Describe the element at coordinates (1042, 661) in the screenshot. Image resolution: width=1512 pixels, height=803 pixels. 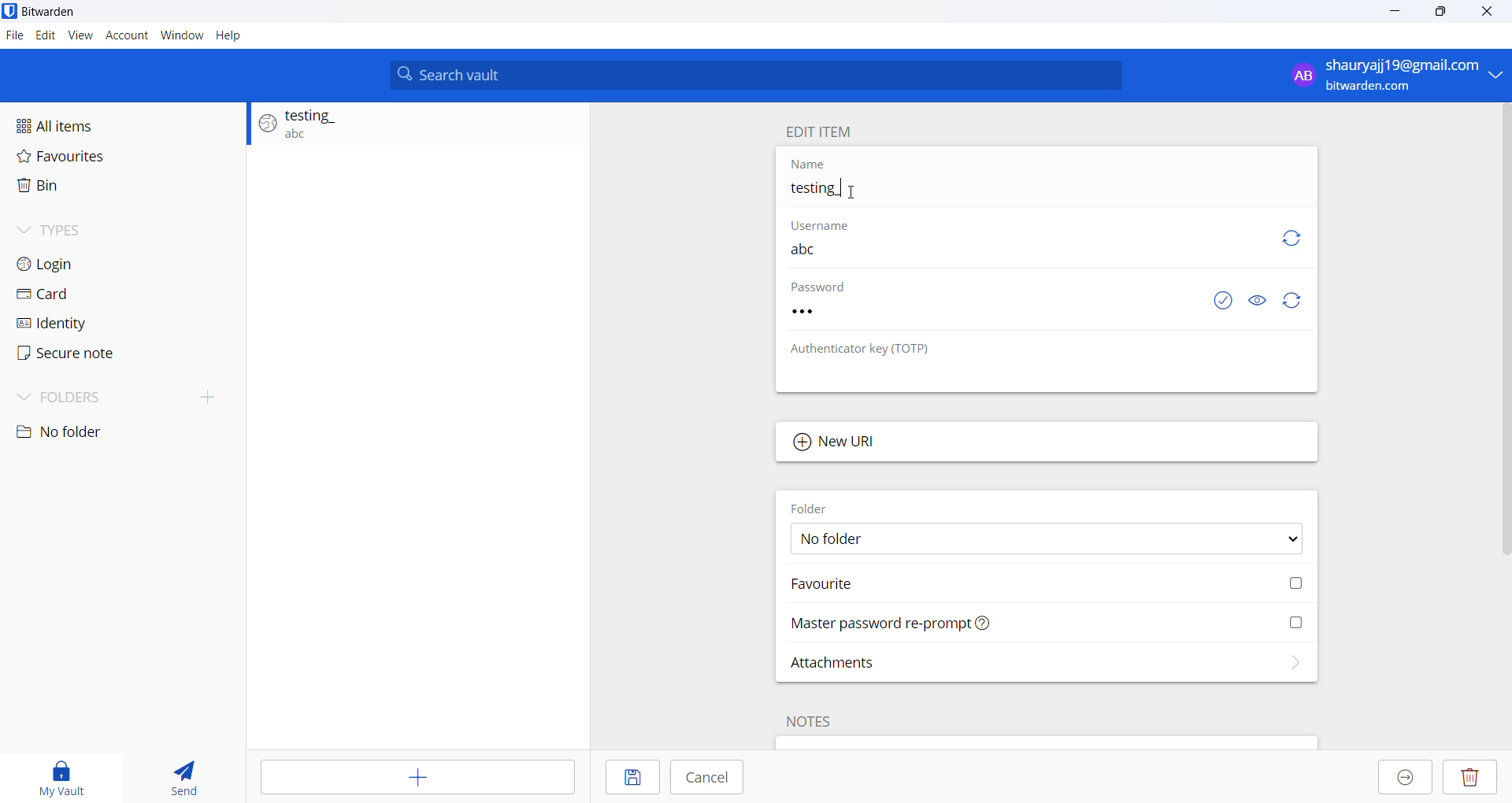
I see `Attachments` at that location.